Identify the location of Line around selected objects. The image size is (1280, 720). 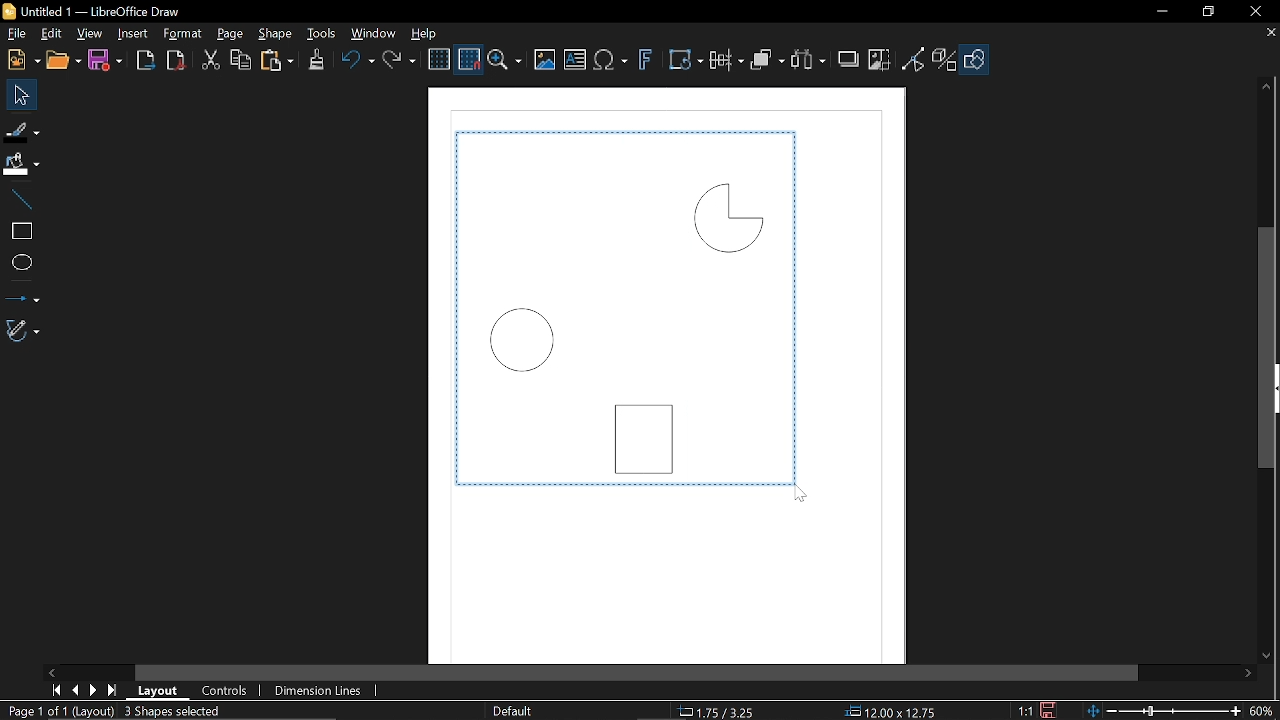
(623, 132).